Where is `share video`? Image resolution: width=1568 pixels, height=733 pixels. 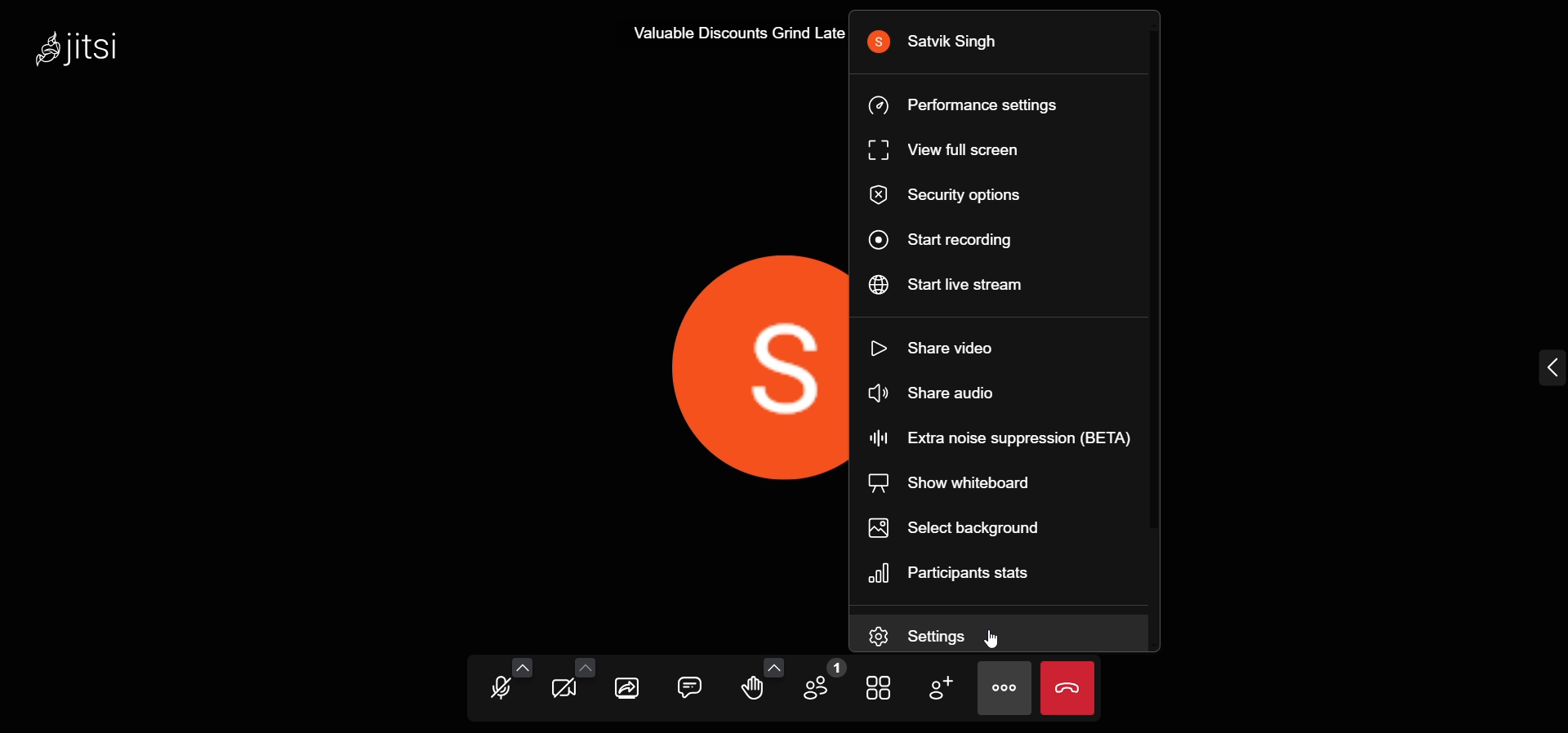
share video is located at coordinates (942, 344).